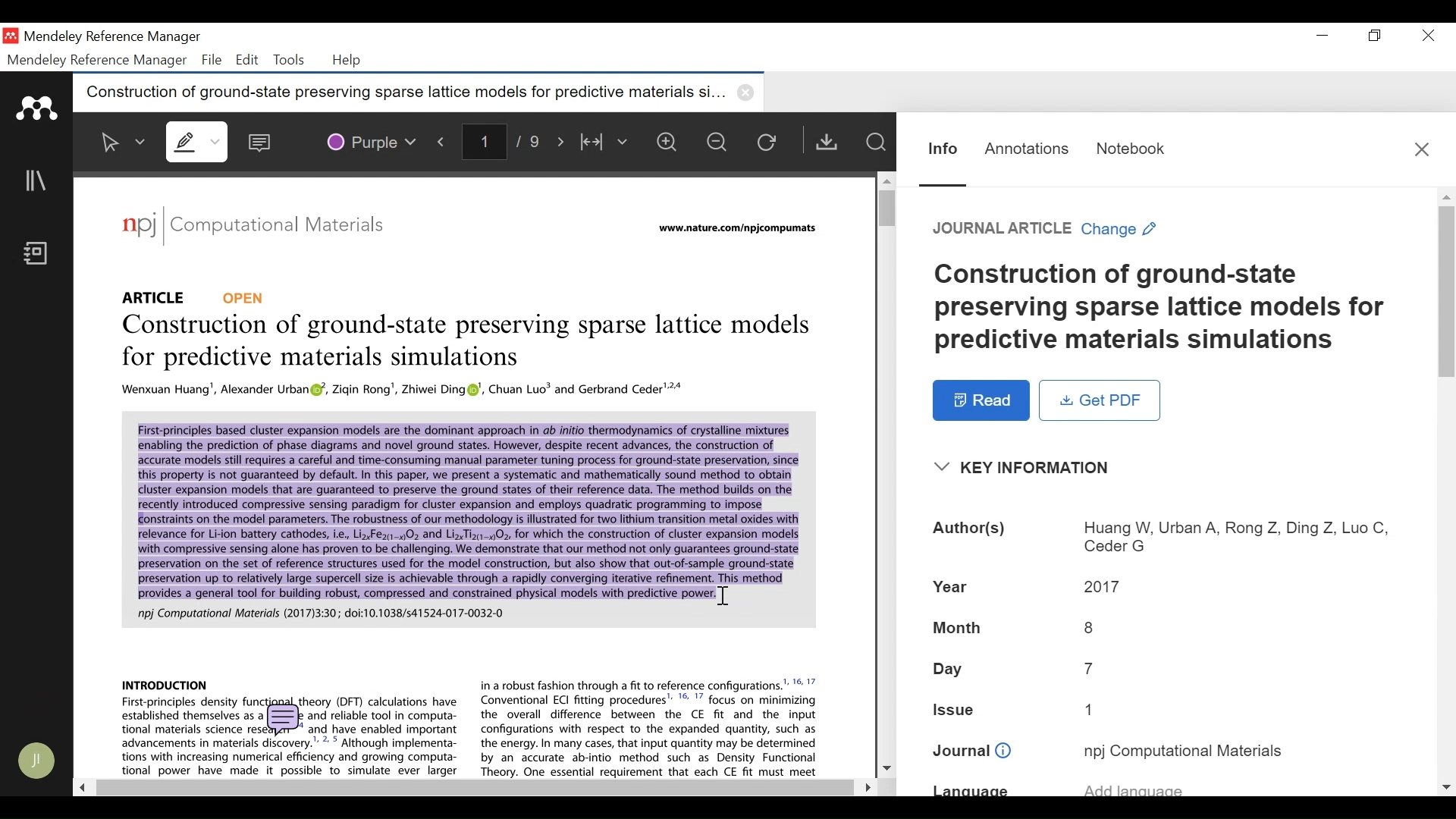 The image size is (1456, 819). Describe the element at coordinates (1100, 400) in the screenshot. I see `Get PDF` at that location.